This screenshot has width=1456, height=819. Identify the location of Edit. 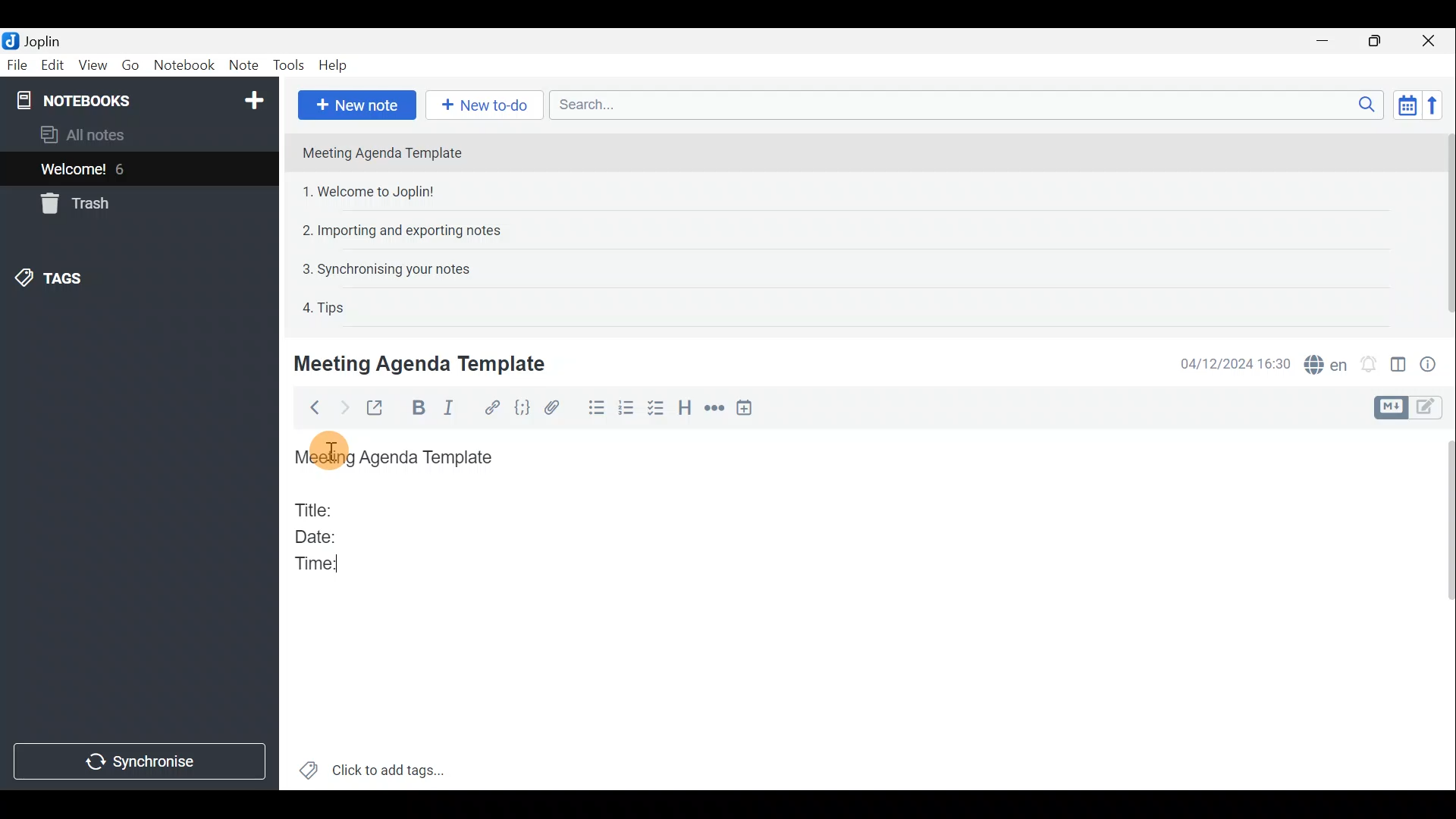
(53, 67).